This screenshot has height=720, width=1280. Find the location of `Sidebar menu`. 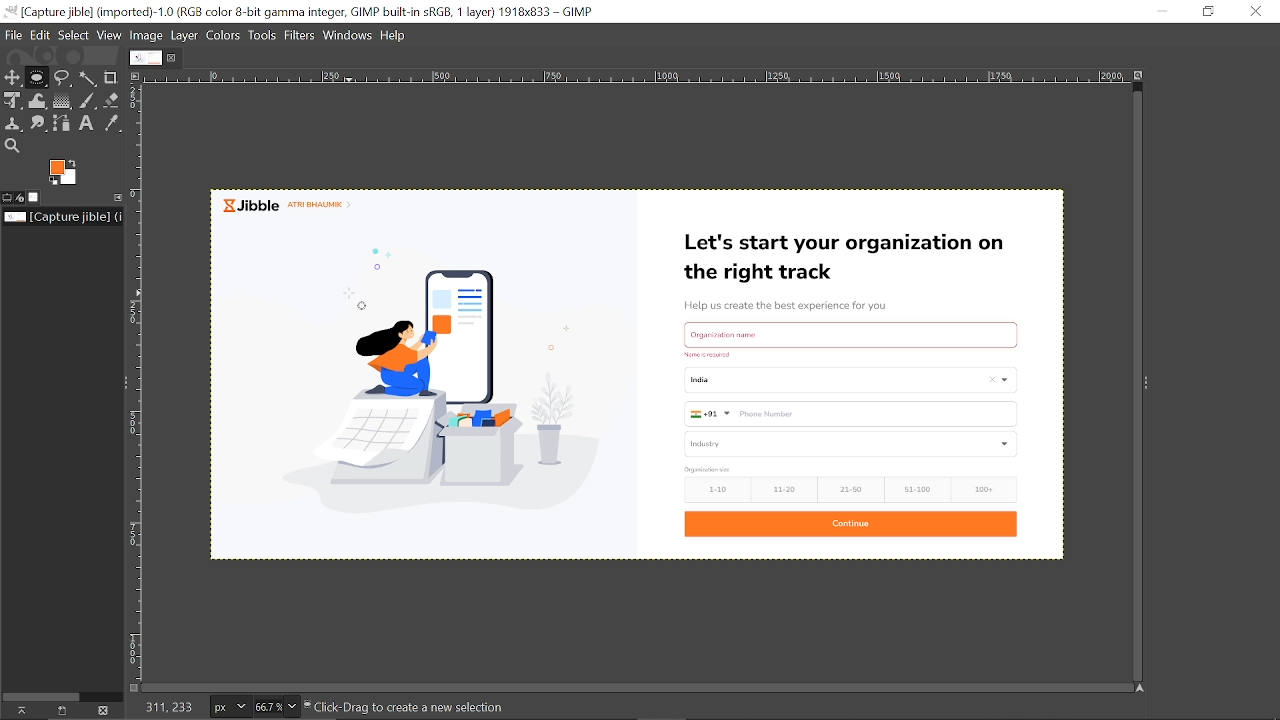

Sidebar menu is located at coordinates (1156, 386).